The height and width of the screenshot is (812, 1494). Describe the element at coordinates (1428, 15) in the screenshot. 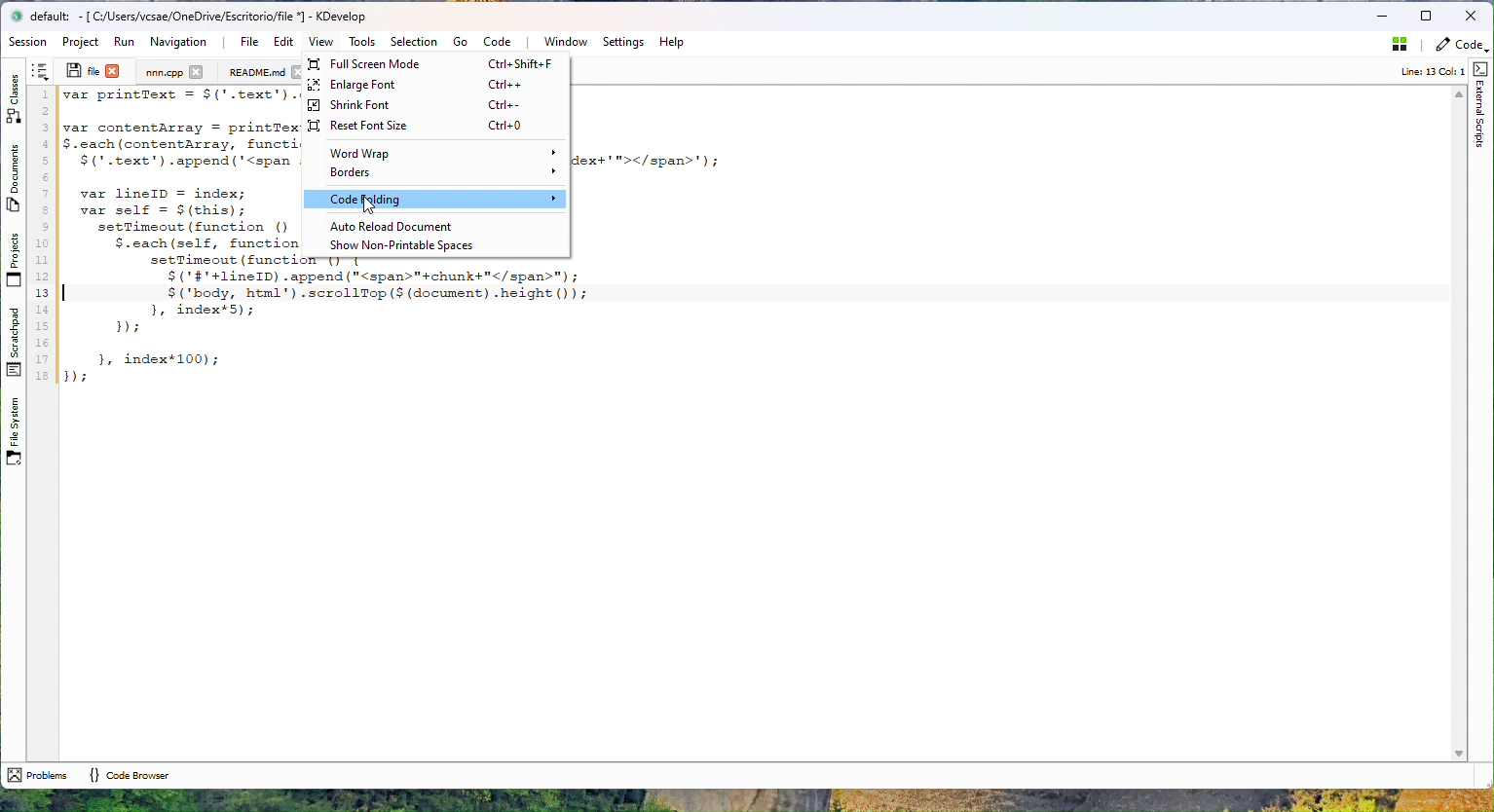

I see `Box` at that location.